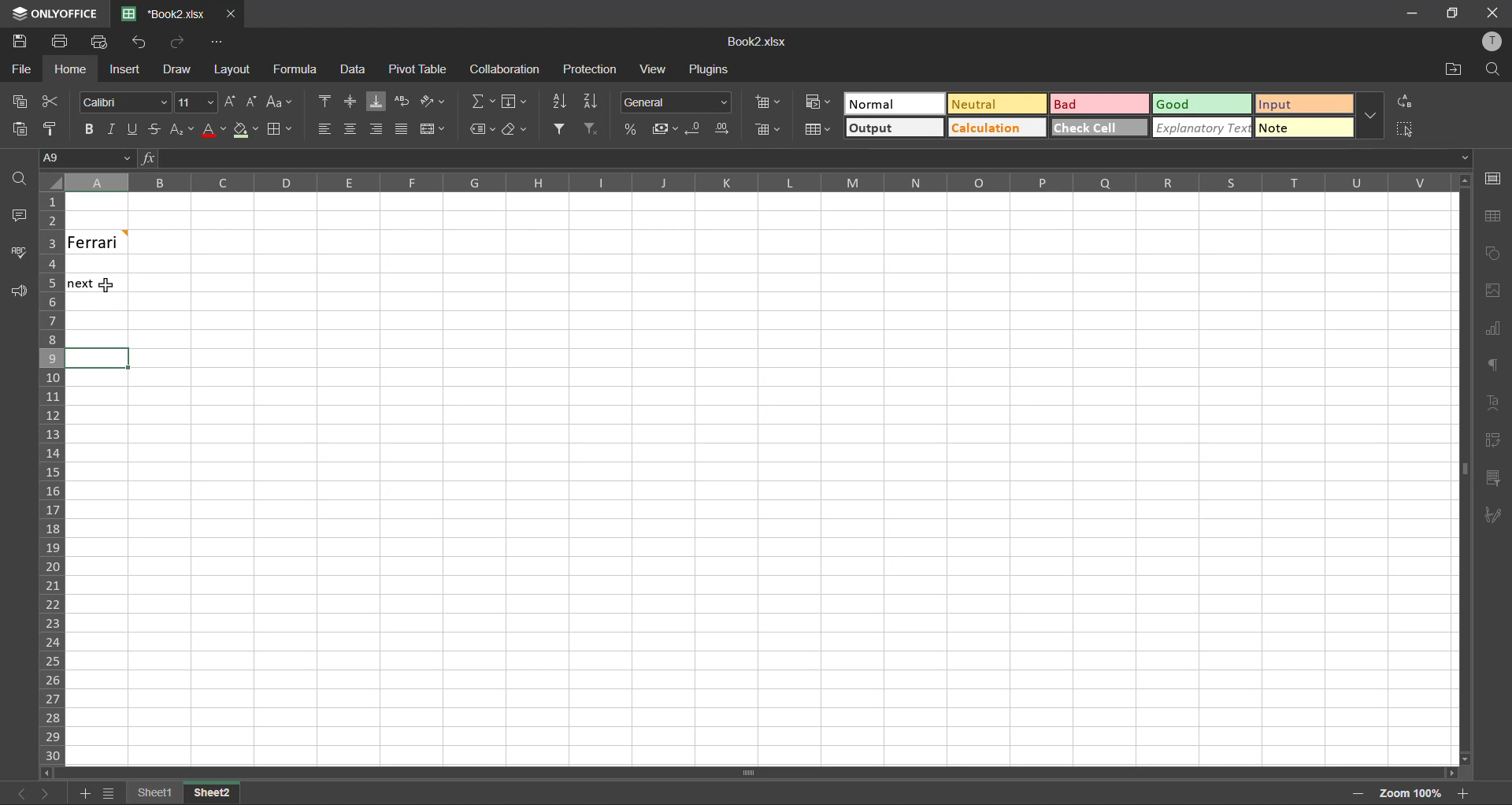 Image resolution: width=1512 pixels, height=805 pixels. Describe the element at coordinates (559, 102) in the screenshot. I see `sort ascending` at that location.